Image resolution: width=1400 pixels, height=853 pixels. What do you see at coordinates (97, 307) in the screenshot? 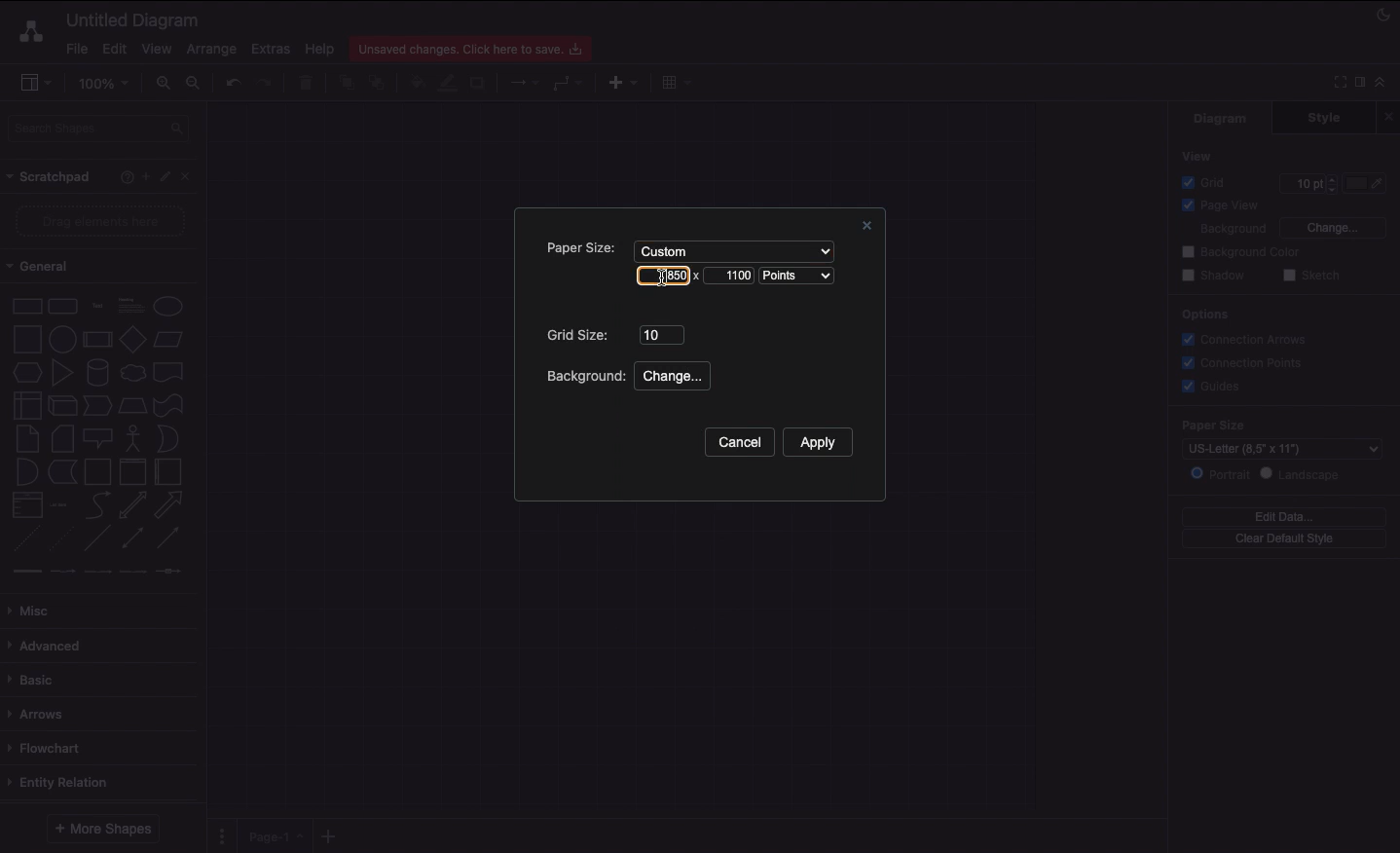
I see `Text` at bounding box center [97, 307].